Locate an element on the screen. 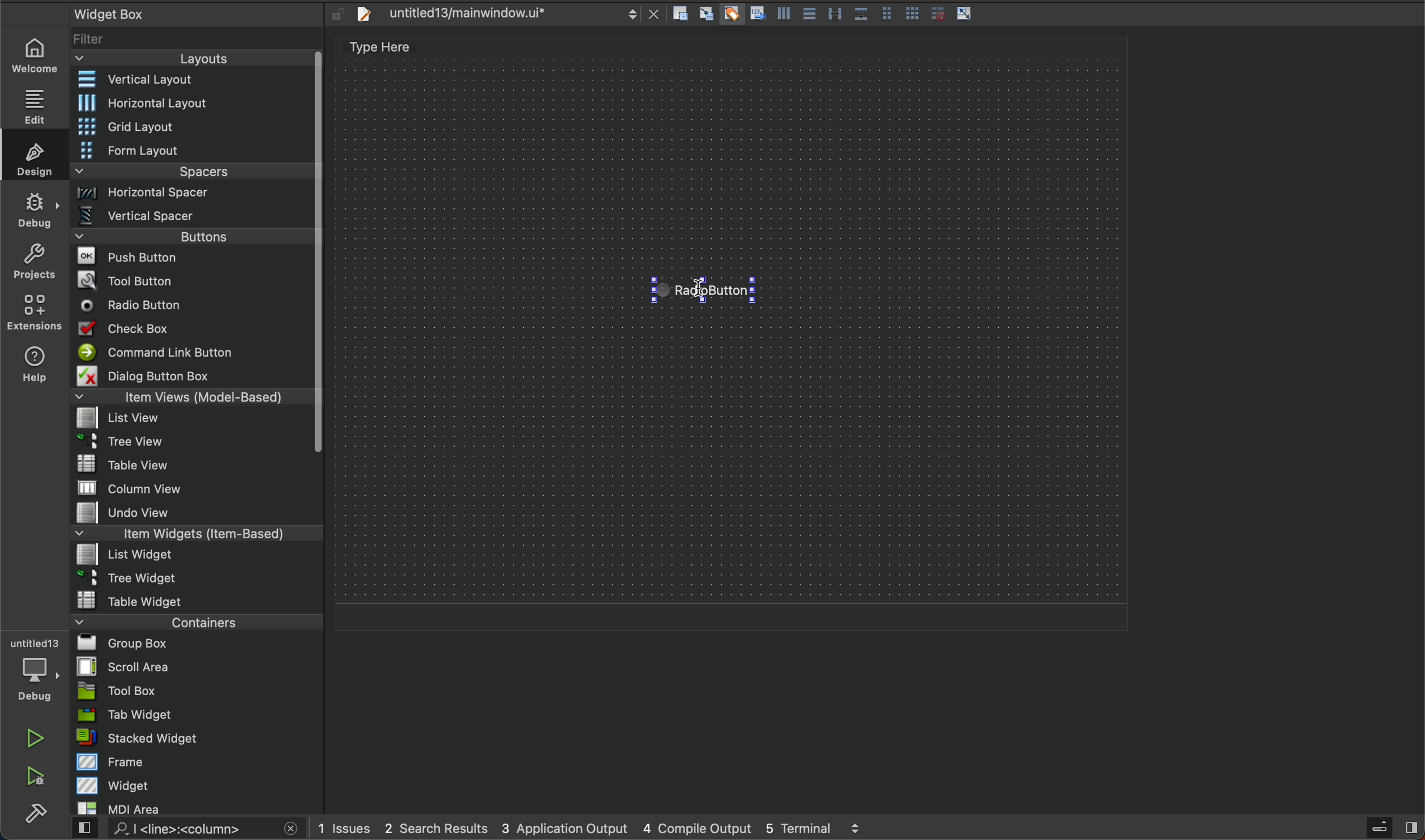 Image resolution: width=1425 pixels, height=840 pixels.  is located at coordinates (886, 15).